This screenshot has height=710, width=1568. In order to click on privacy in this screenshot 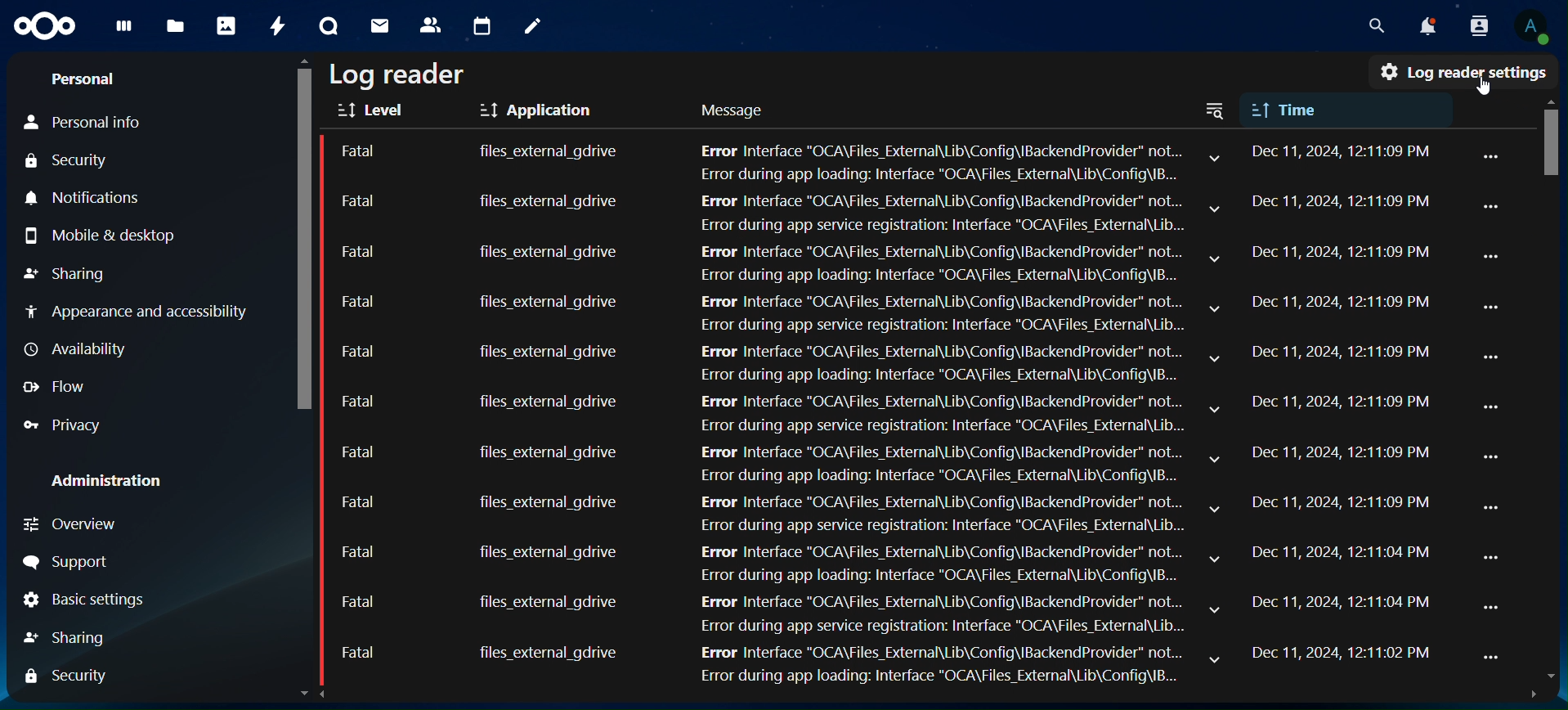, I will do `click(69, 425)`.